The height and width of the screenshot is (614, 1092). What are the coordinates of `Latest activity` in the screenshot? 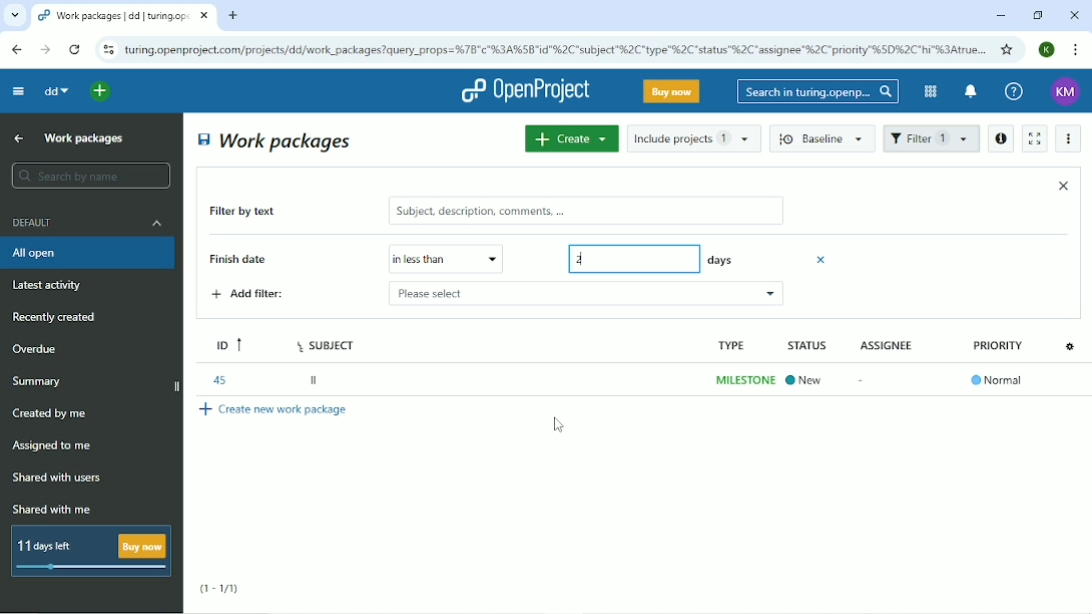 It's located at (53, 287).